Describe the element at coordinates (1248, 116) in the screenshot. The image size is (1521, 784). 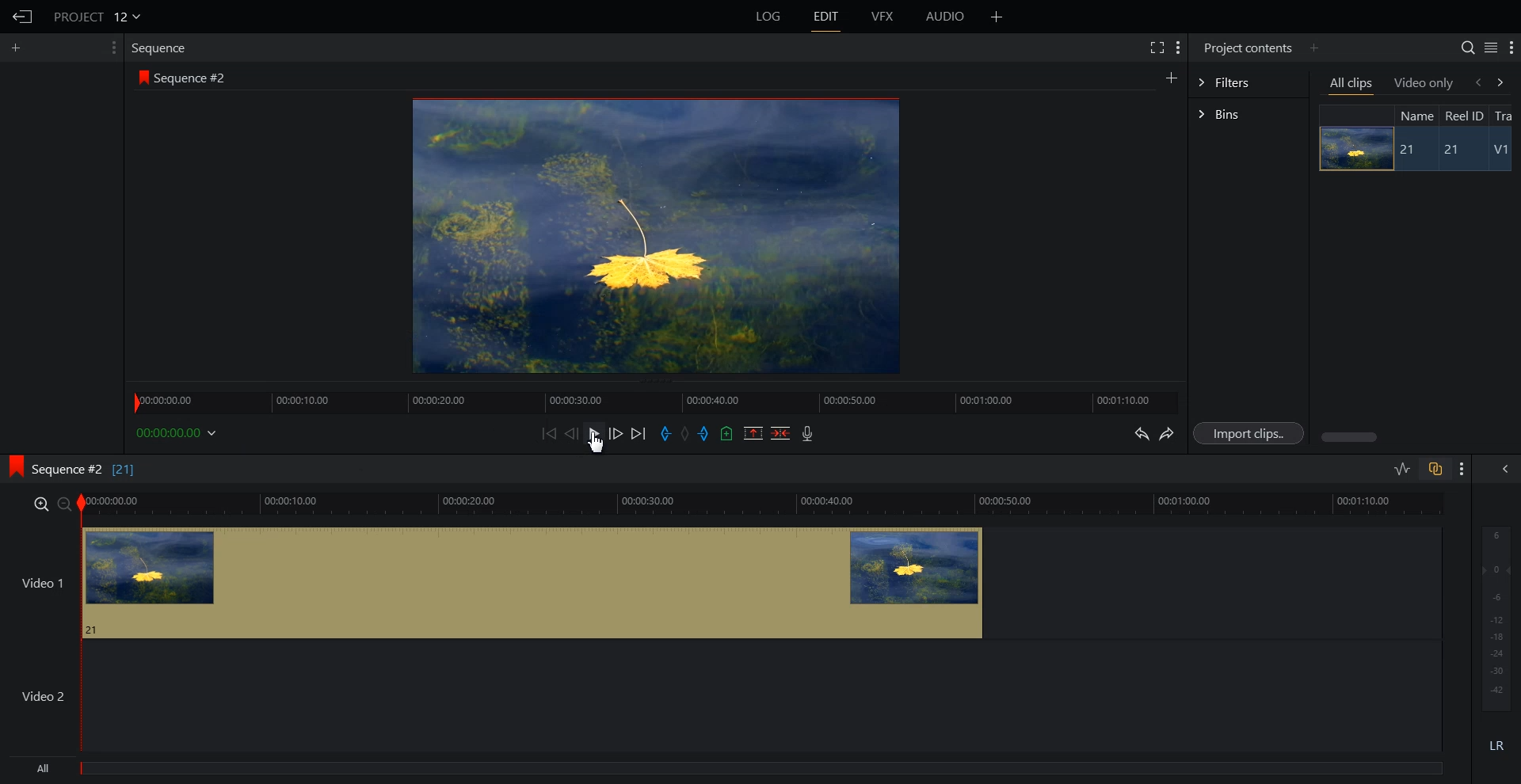
I see `Bins` at that location.